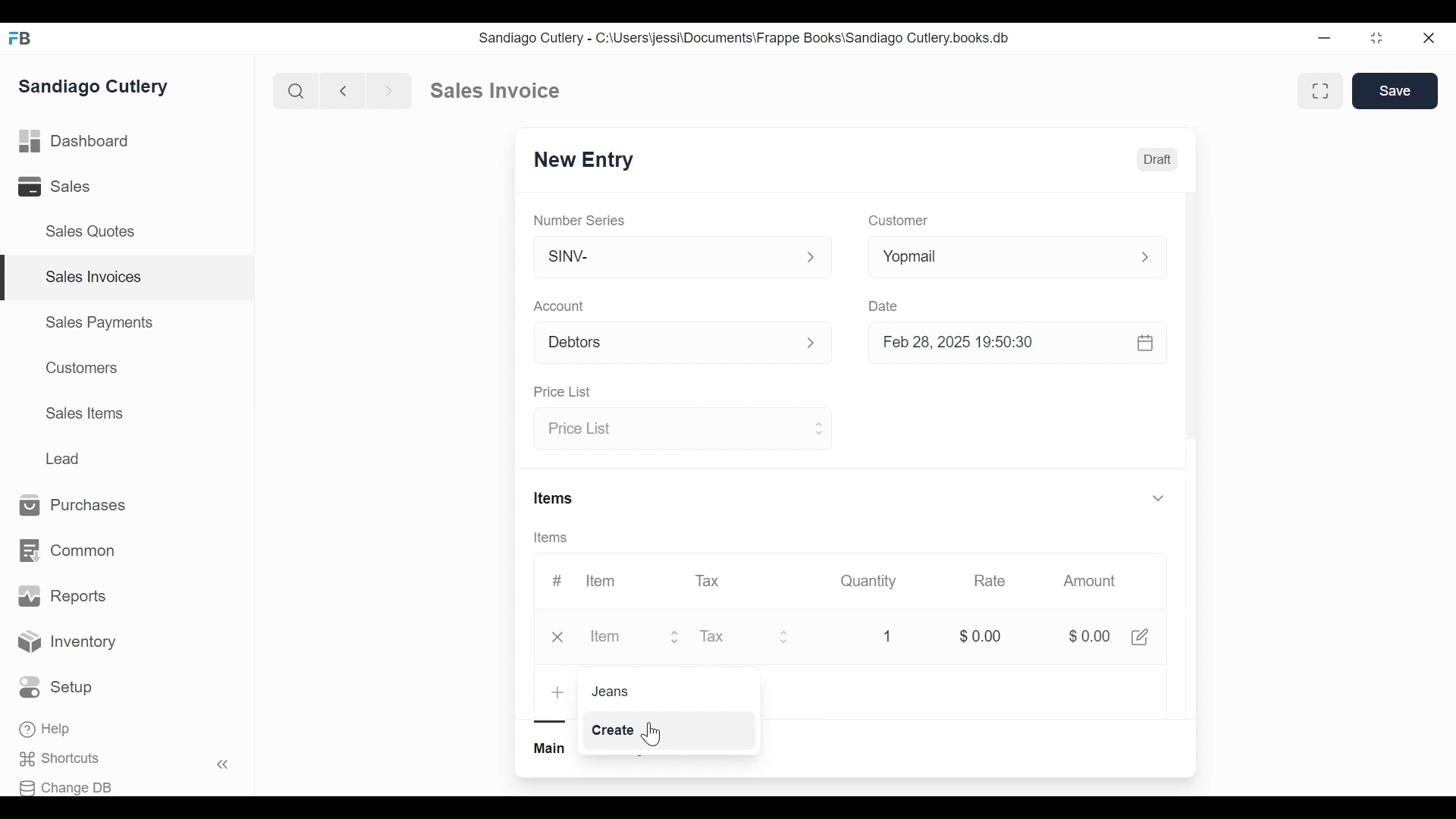 The image size is (1456, 819). I want to click on SINV-, so click(681, 260).